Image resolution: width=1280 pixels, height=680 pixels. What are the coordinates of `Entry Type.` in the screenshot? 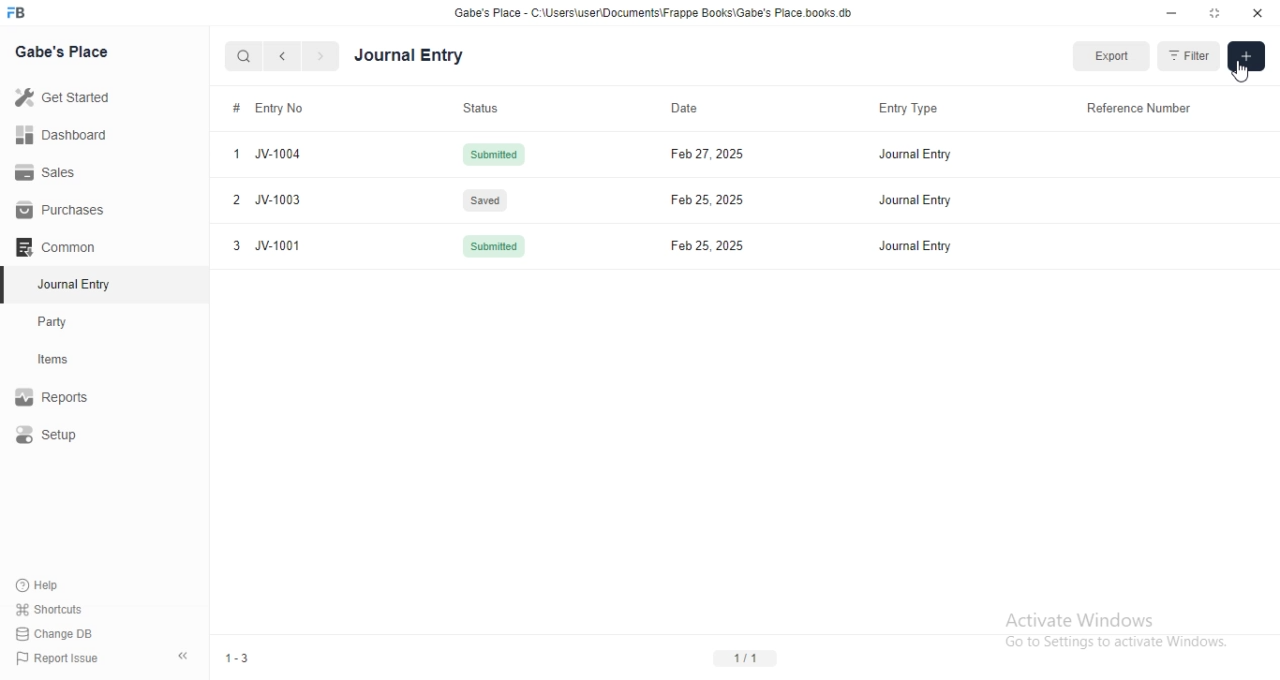 It's located at (908, 110).